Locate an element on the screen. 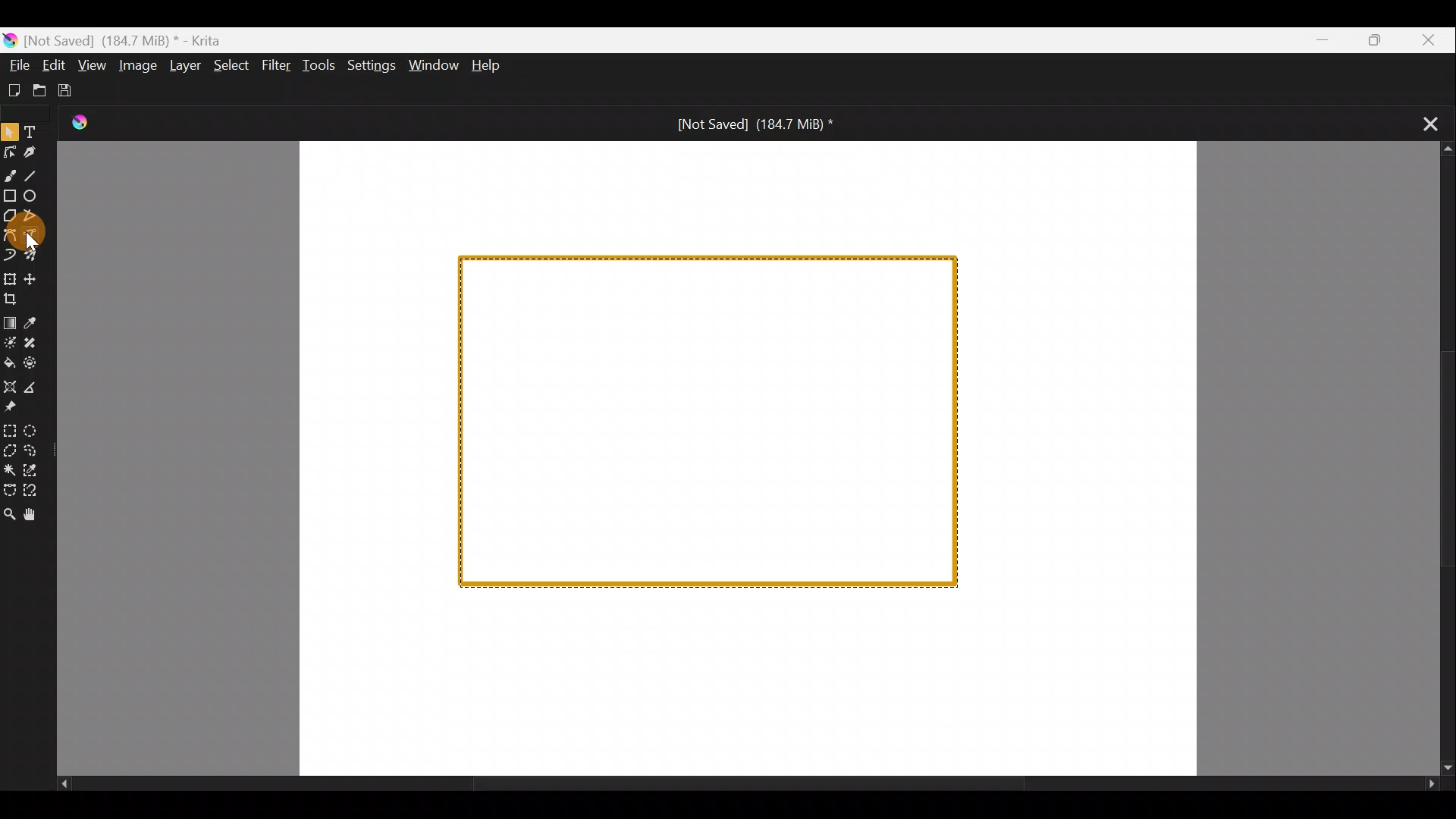 This screenshot has height=819, width=1456. Line tool is located at coordinates (33, 175).